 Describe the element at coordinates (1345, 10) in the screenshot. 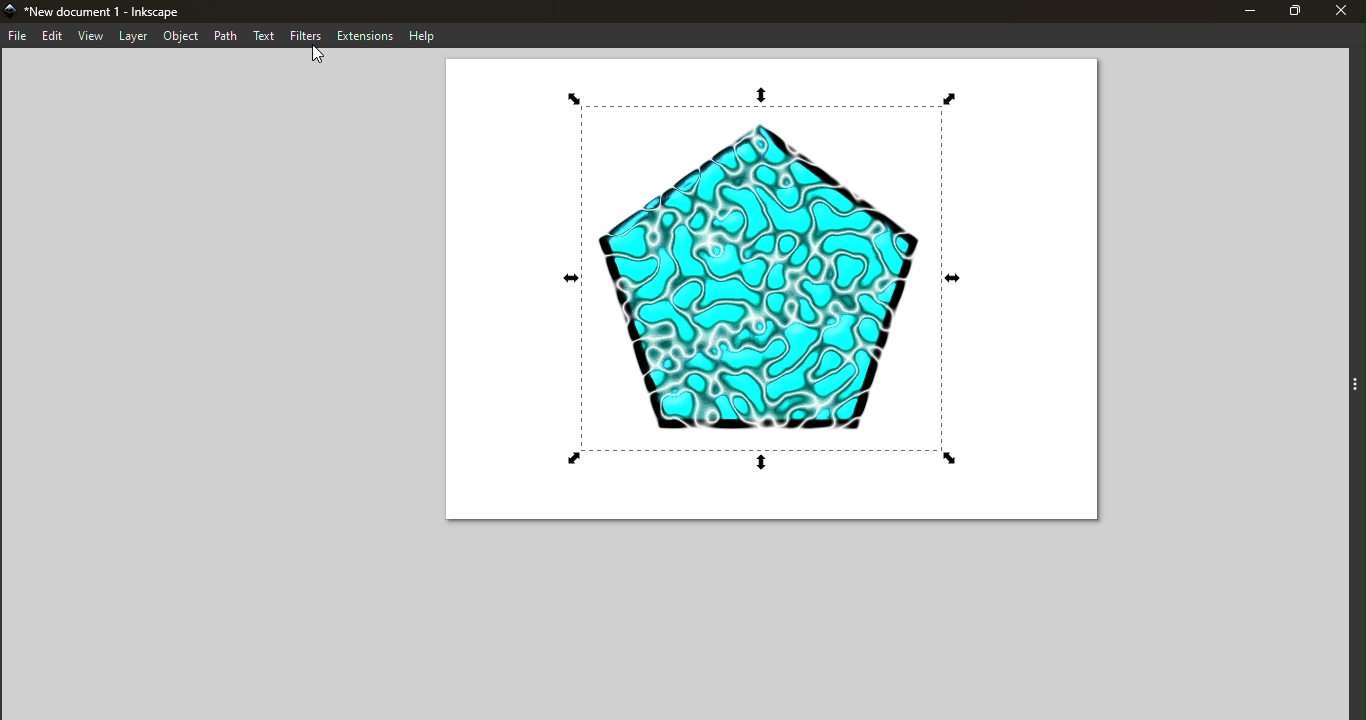

I see `Close` at that location.